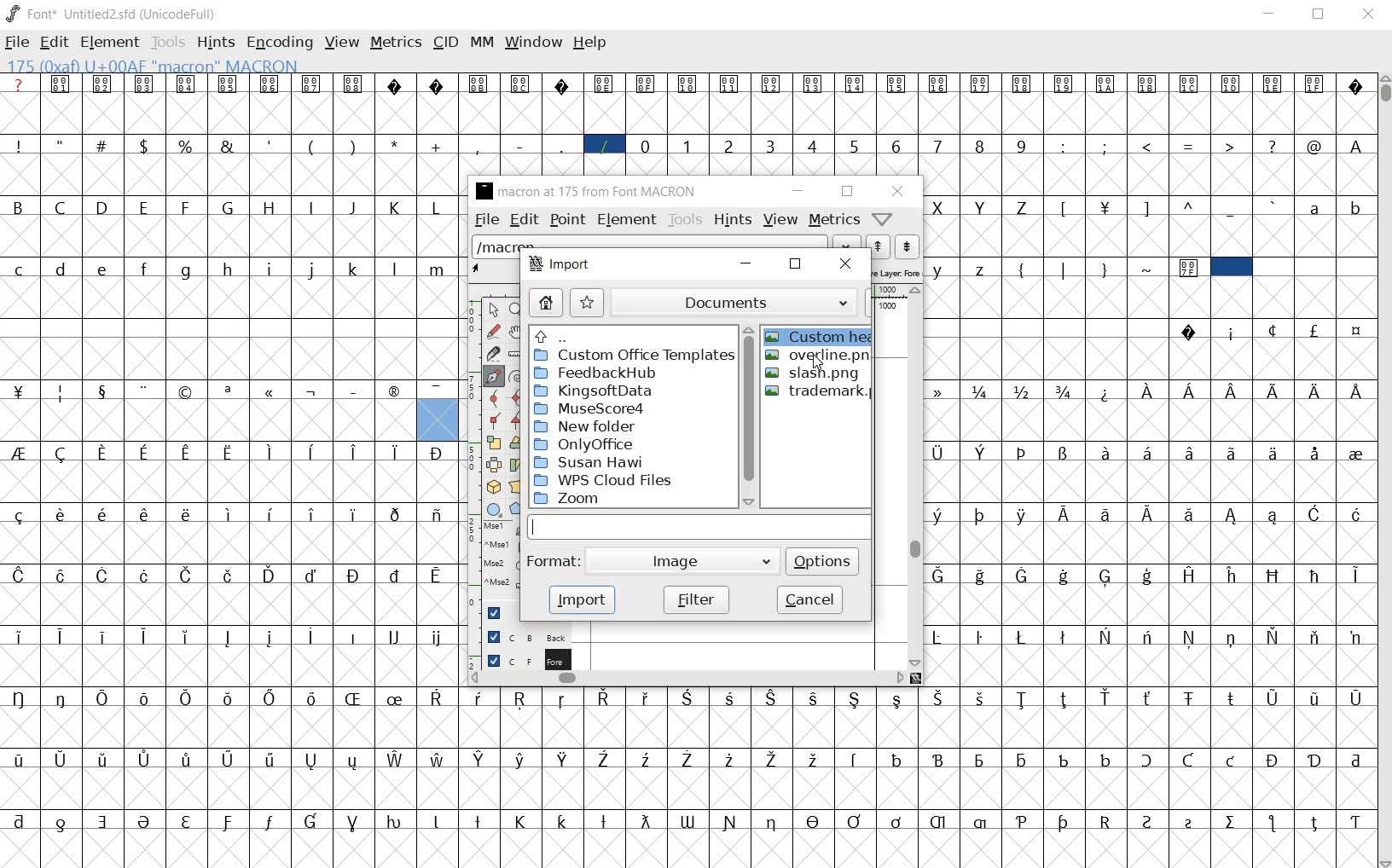 This screenshot has width=1392, height=868. Describe the element at coordinates (628, 221) in the screenshot. I see `element` at that location.